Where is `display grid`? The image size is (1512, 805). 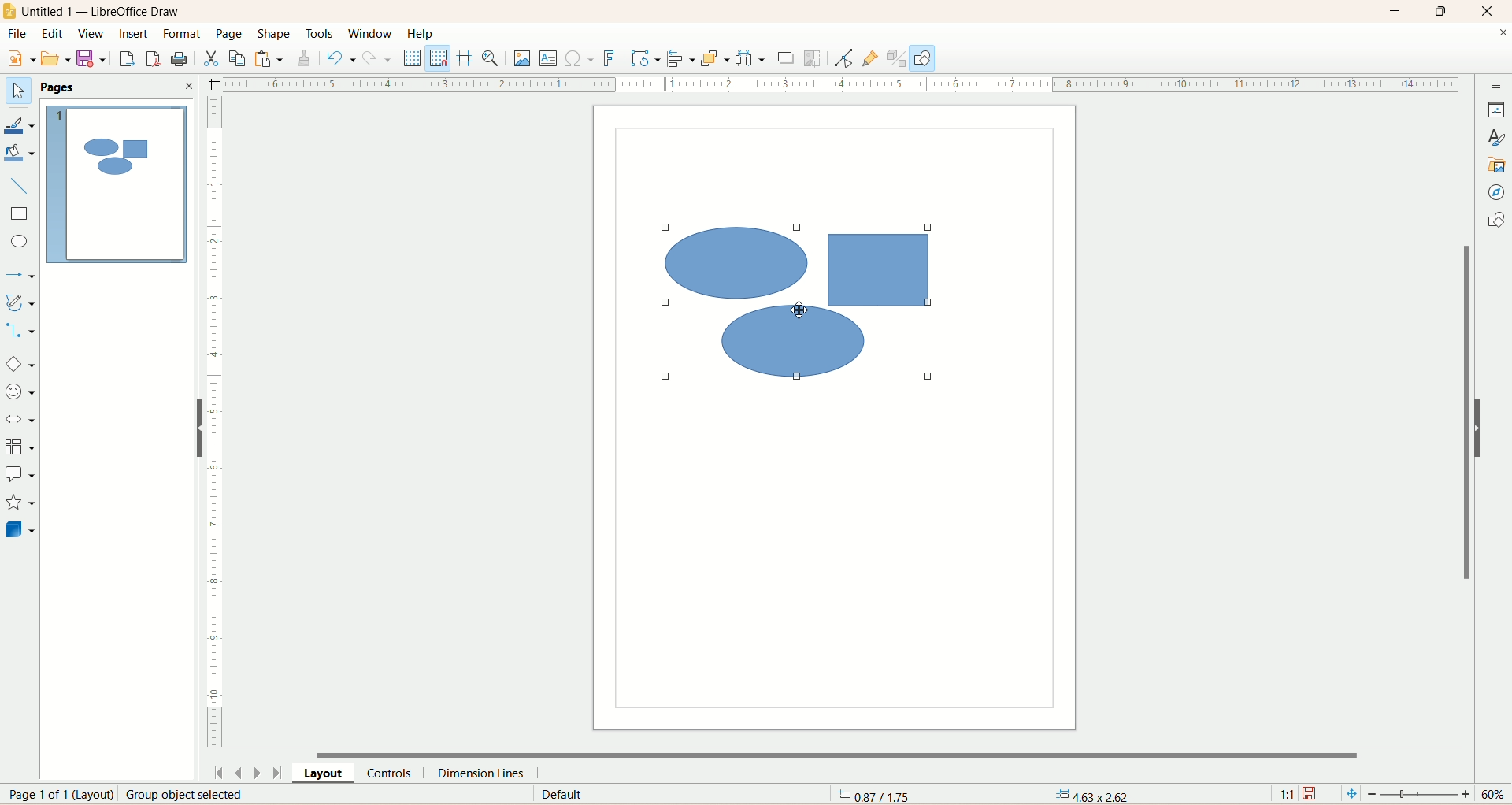
display grid is located at coordinates (413, 58).